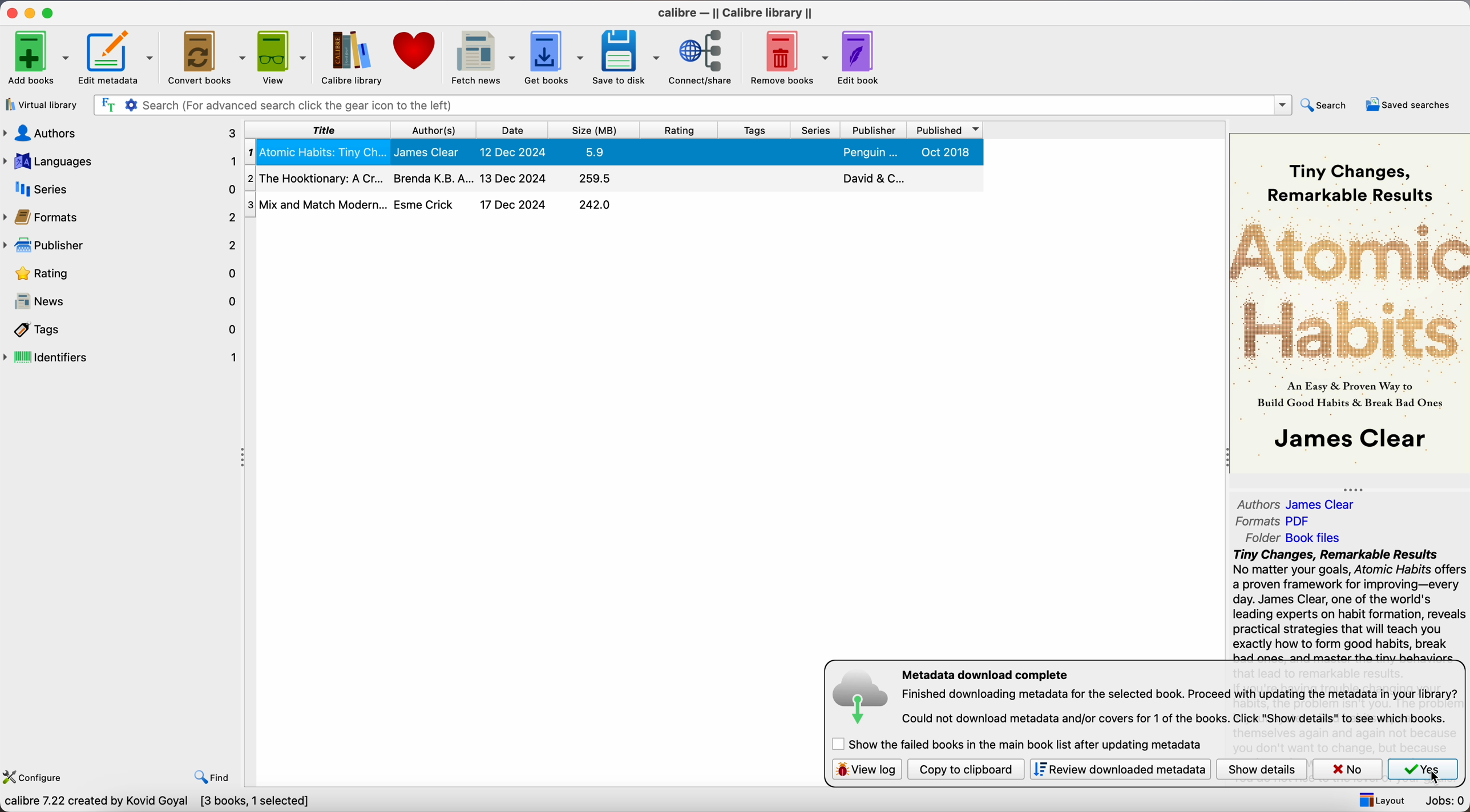  Describe the element at coordinates (1180, 695) in the screenshot. I see `Finished downloading metadata for the selected book. Proceed with updating the metadata in your library?` at that location.